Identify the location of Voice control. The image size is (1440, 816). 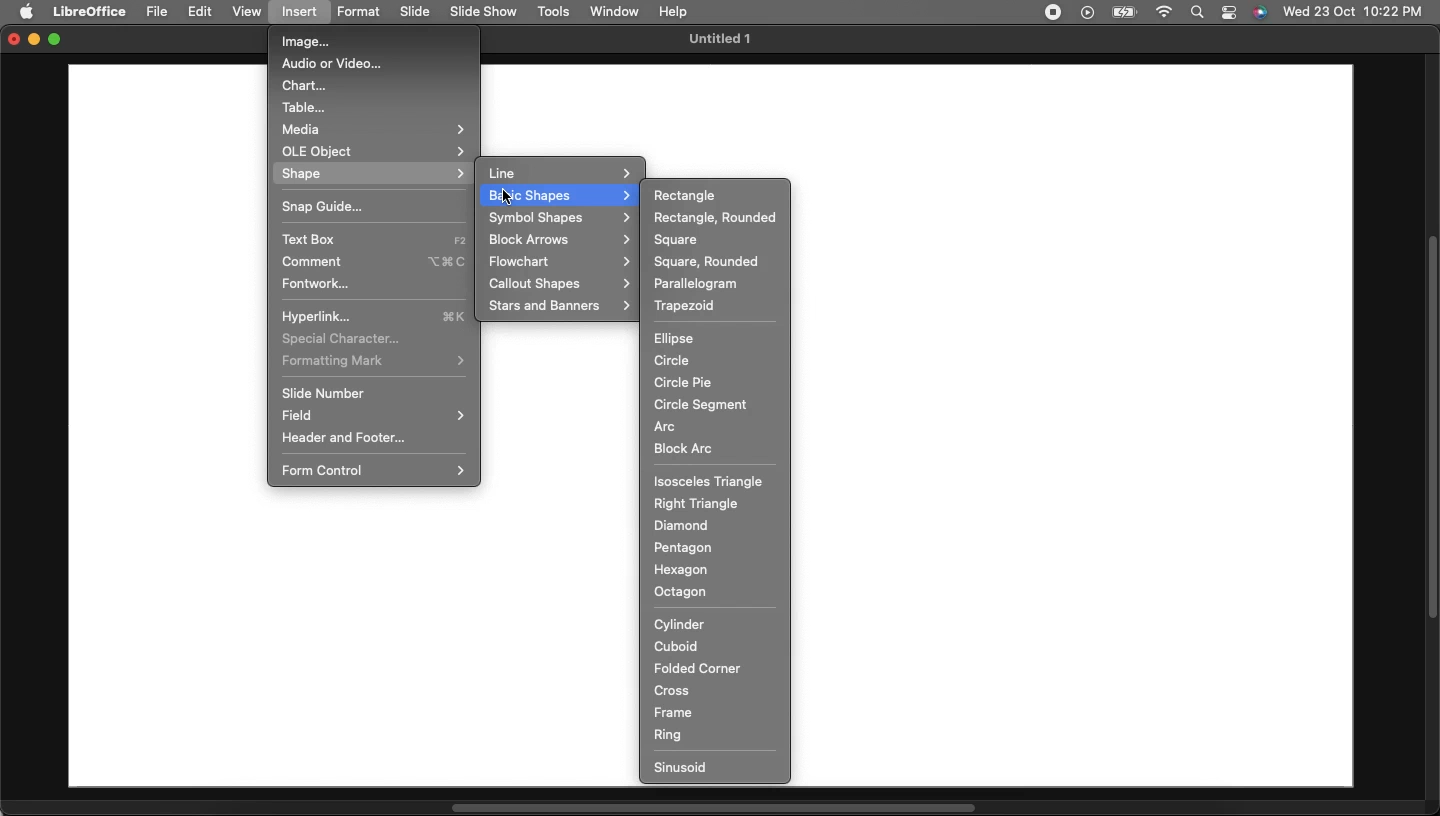
(1259, 13).